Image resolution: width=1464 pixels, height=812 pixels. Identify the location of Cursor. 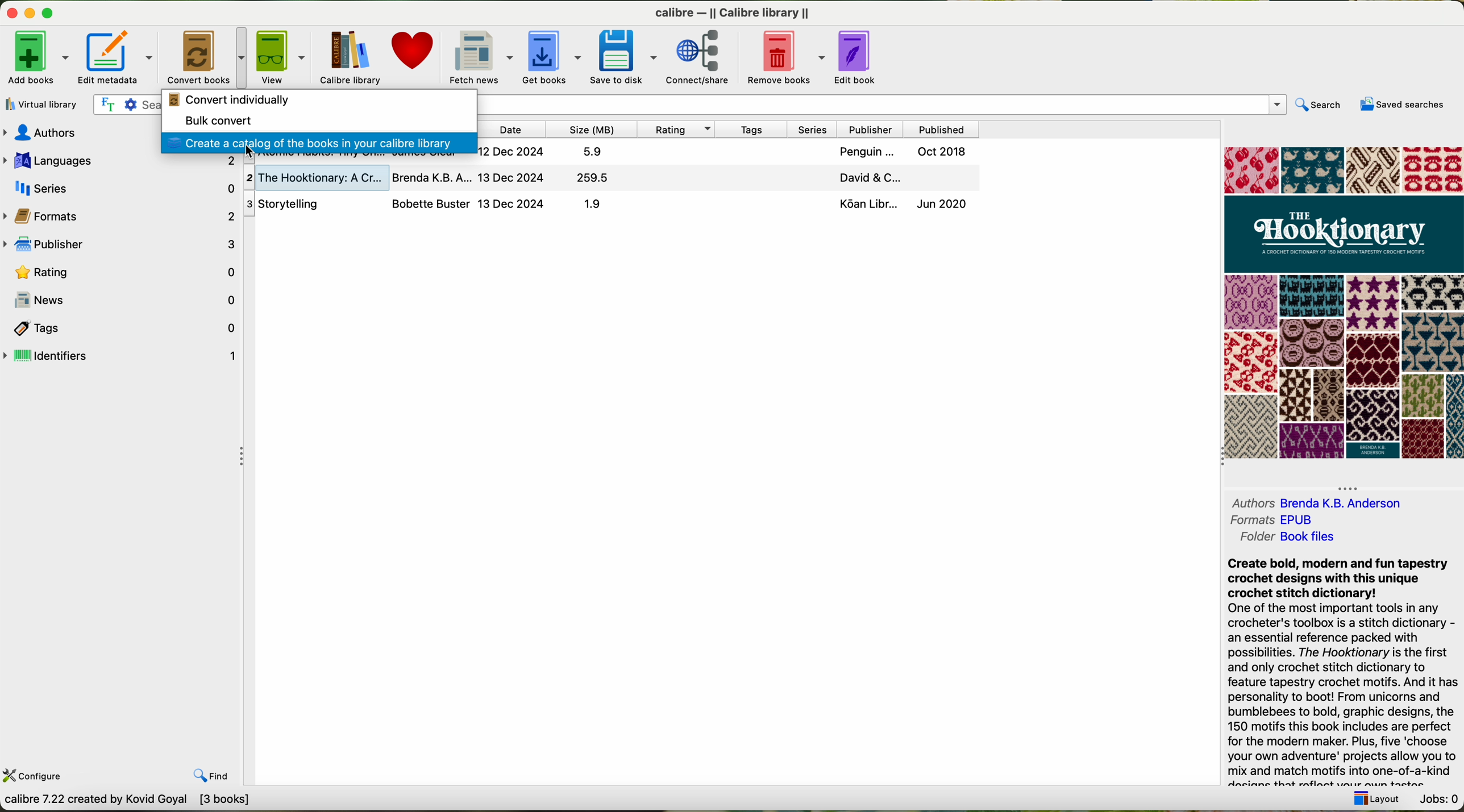
(254, 155).